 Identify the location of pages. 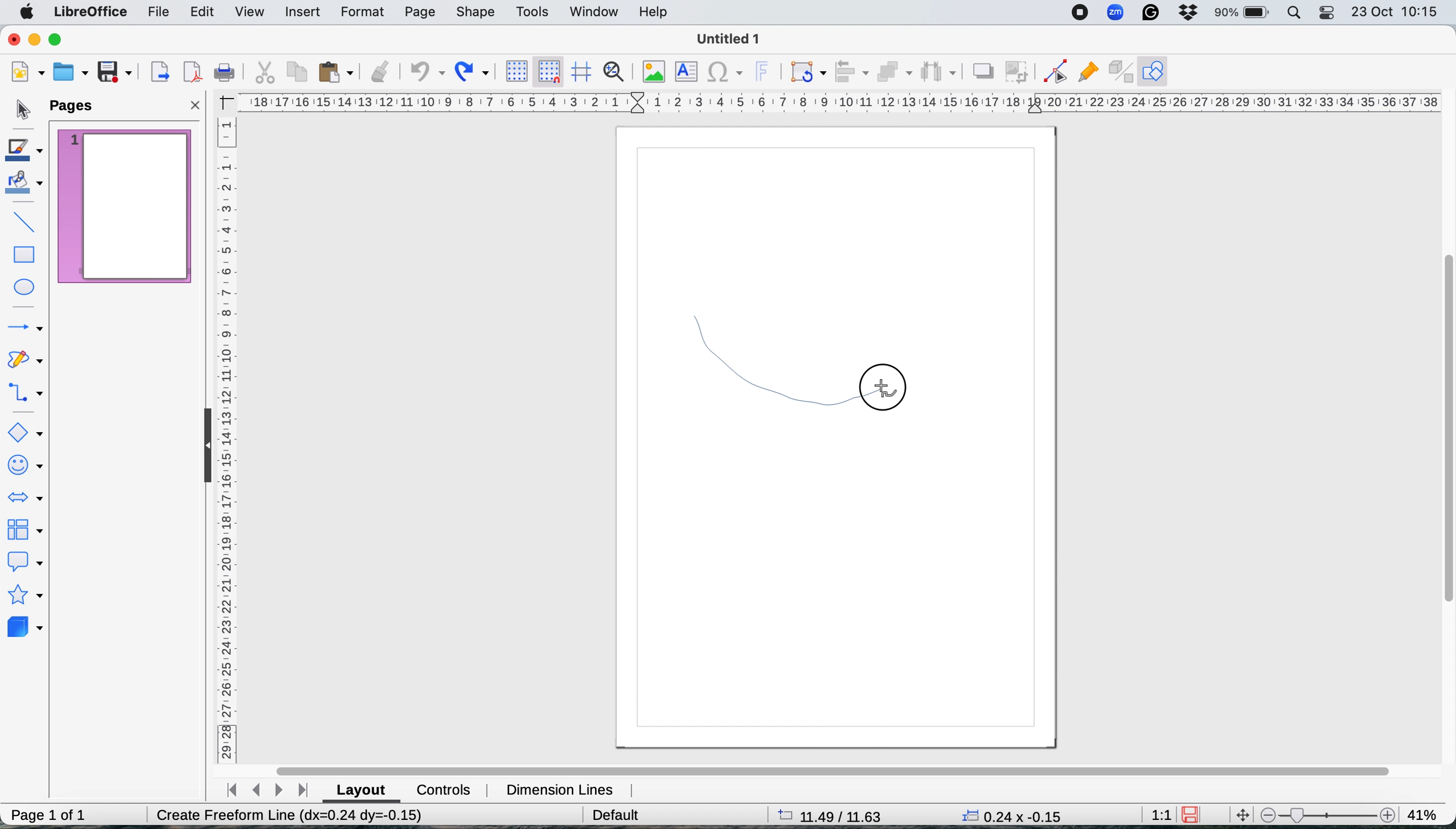
(77, 106).